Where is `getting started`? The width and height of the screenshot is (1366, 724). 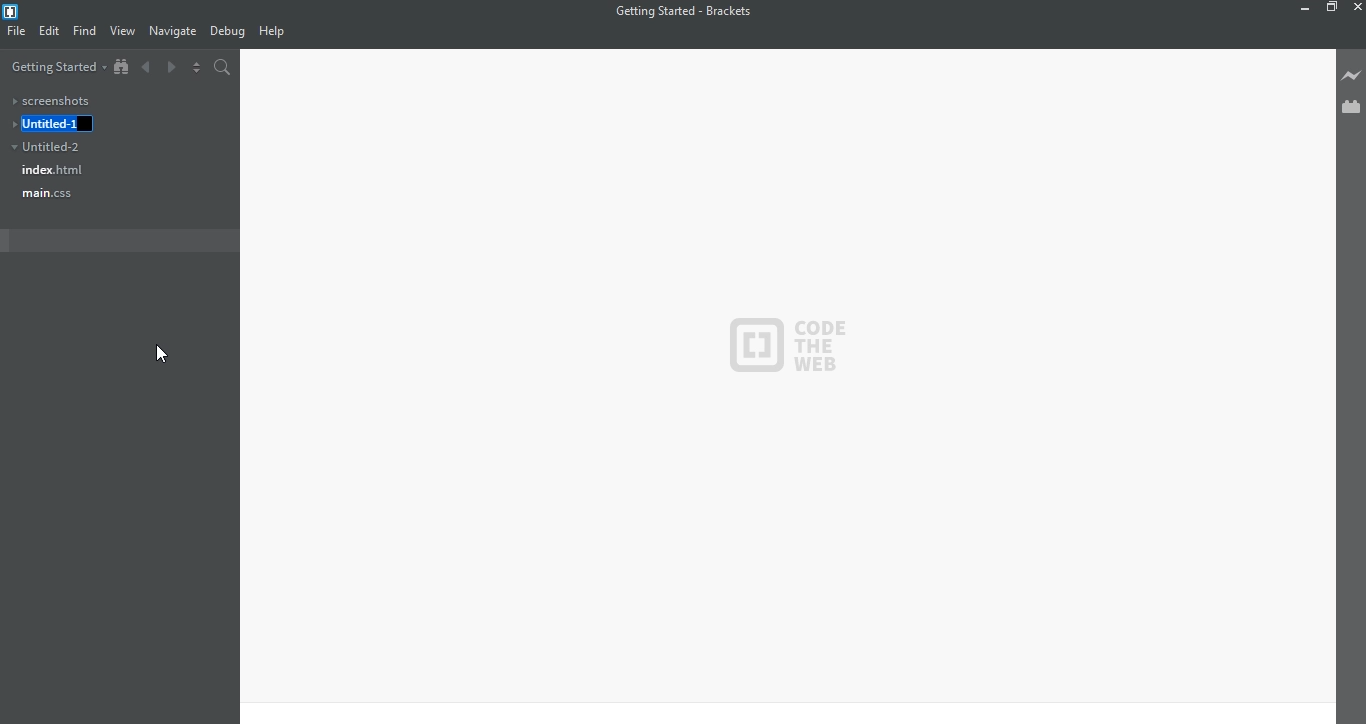 getting started is located at coordinates (57, 66).